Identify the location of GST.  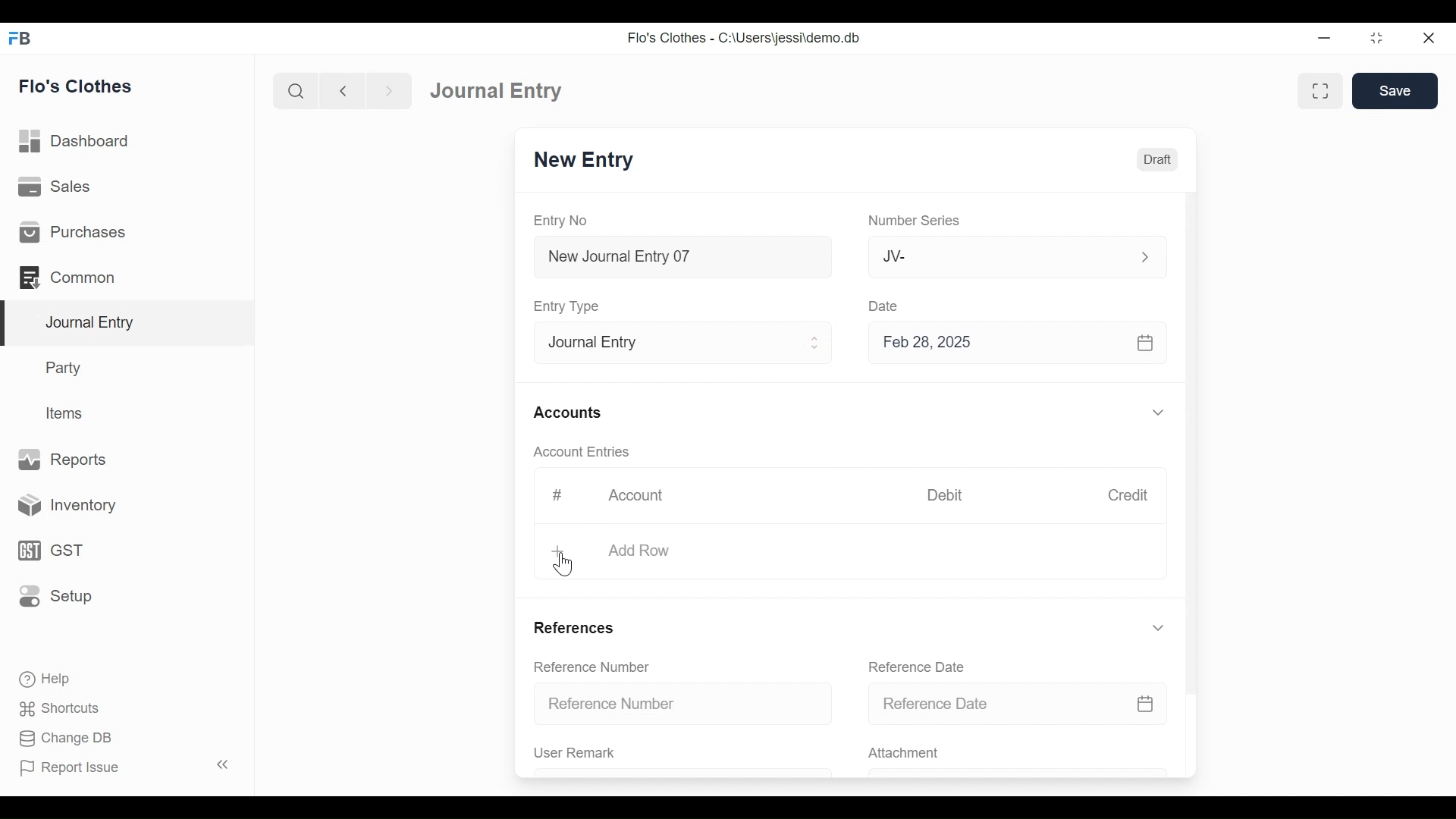
(49, 552).